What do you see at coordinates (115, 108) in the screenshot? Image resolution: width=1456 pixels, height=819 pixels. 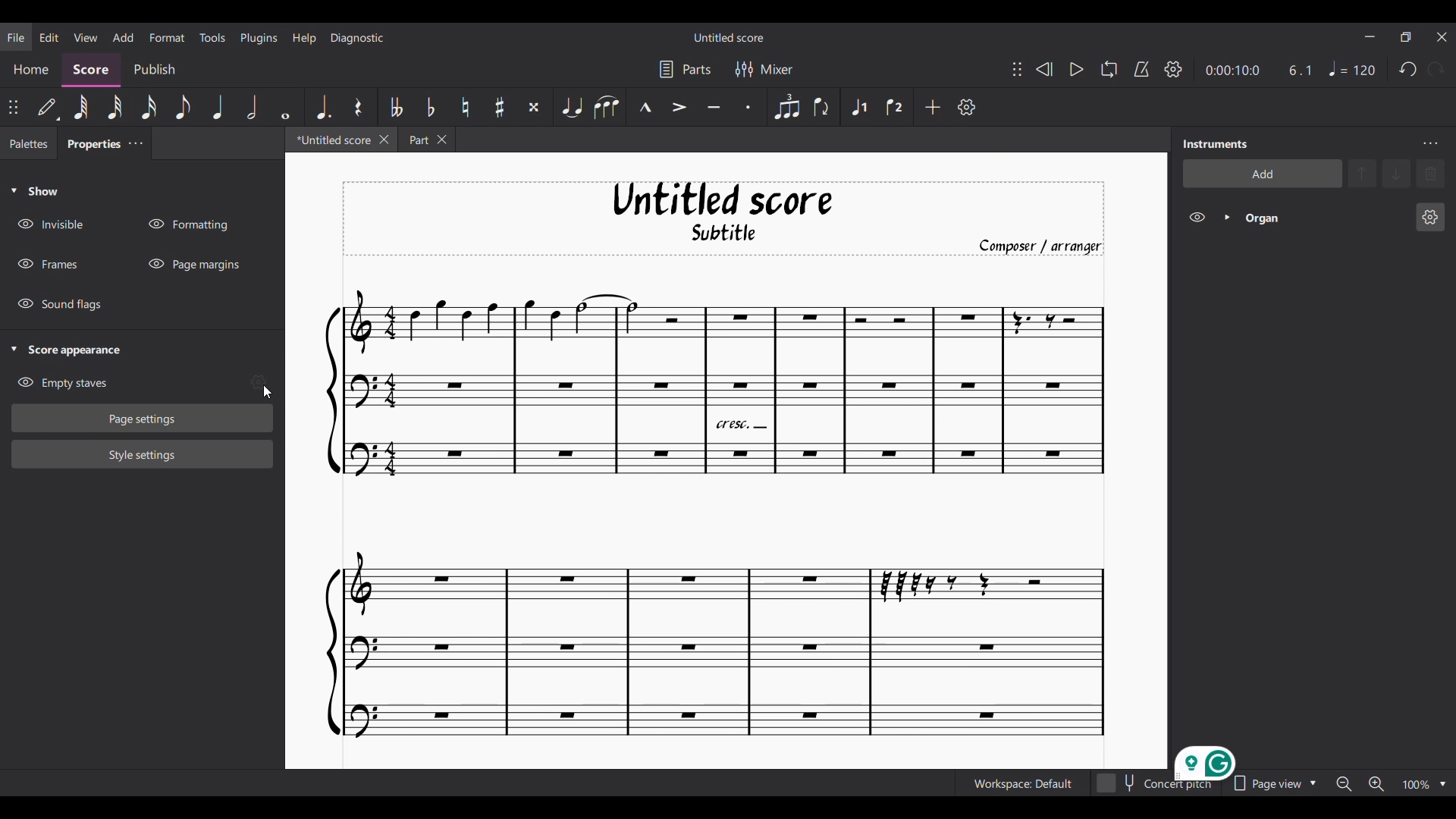 I see `32nd note` at bounding box center [115, 108].